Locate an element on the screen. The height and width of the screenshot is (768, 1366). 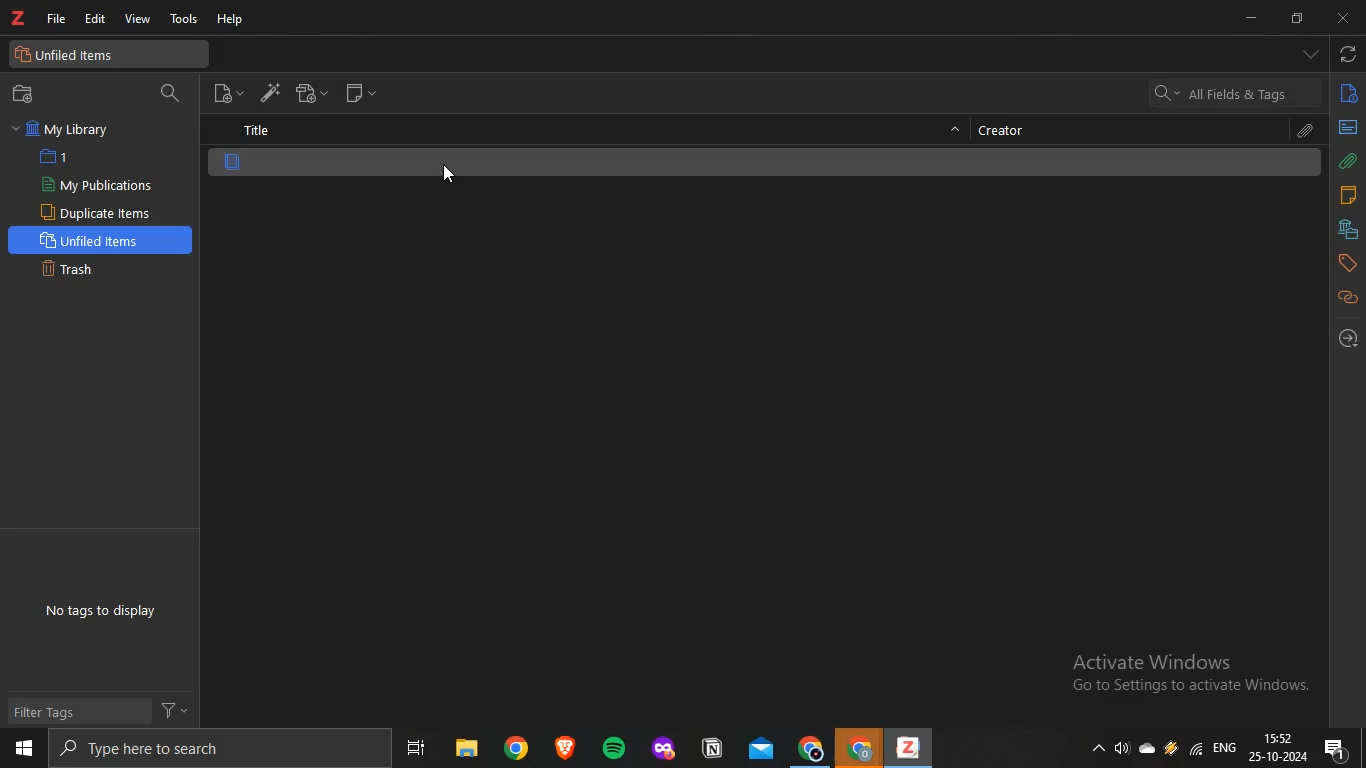
eng is located at coordinates (1227, 745).